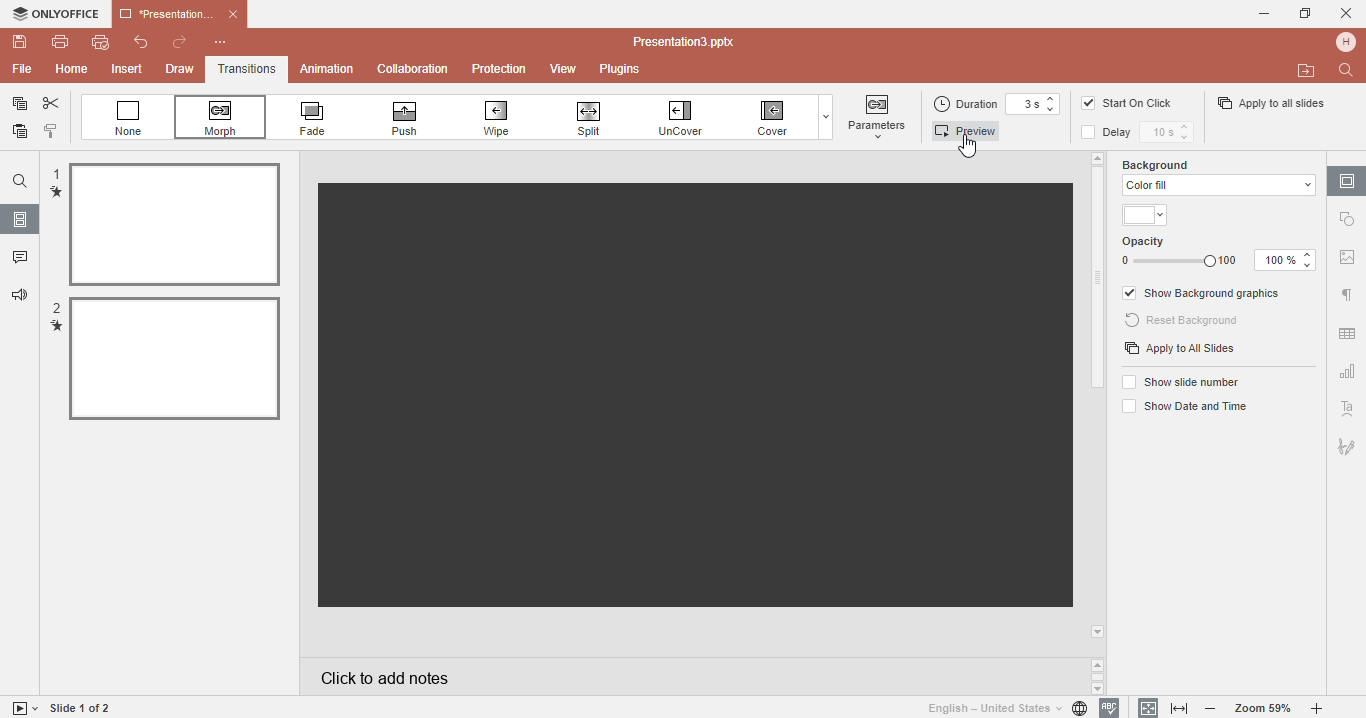 The image size is (1366, 718). I want to click on Copy style, so click(52, 133).